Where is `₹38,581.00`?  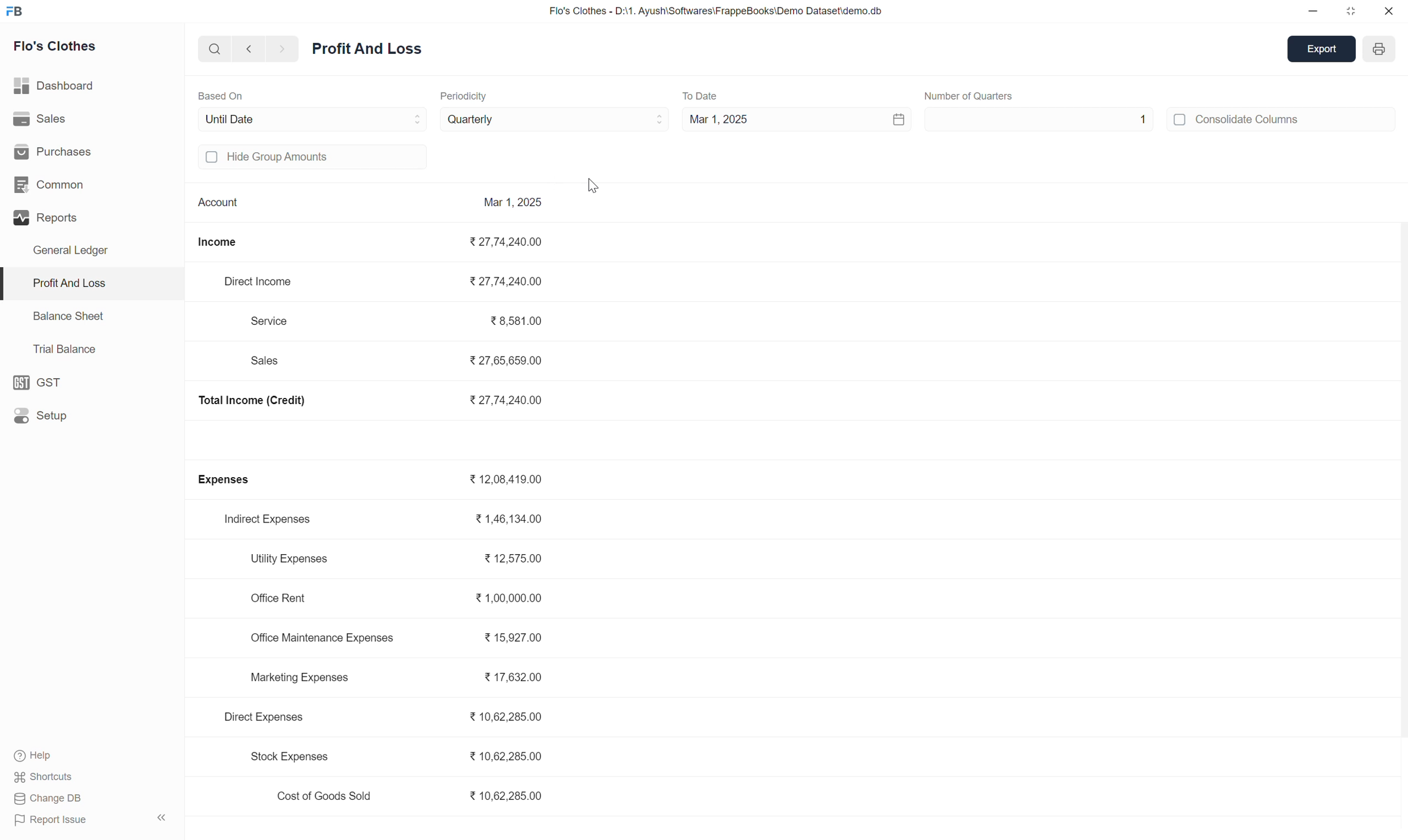
₹38,581.00 is located at coordinates (519, 321).